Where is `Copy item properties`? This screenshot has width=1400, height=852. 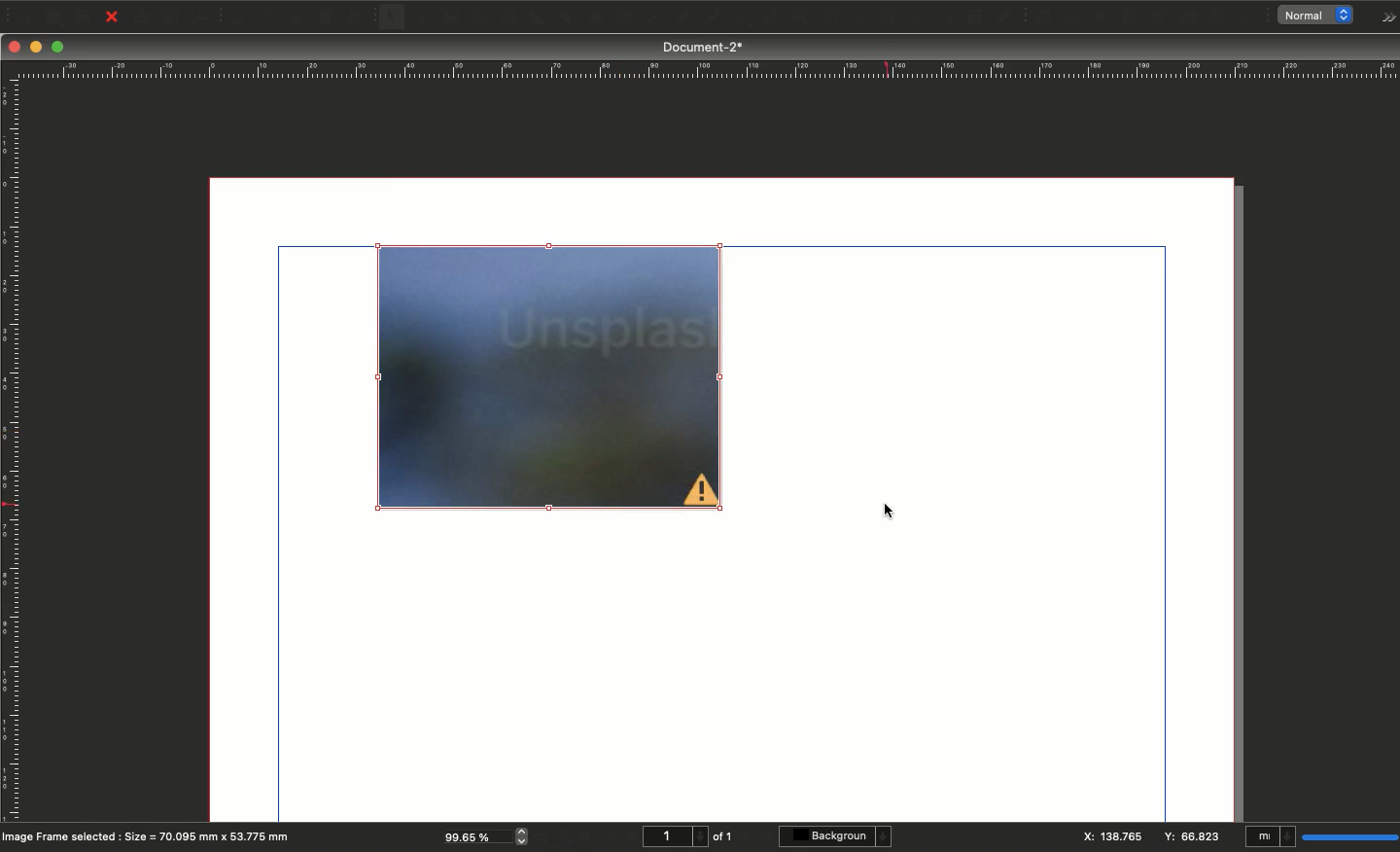 Copy item properties is located at coordinates (972, 18).